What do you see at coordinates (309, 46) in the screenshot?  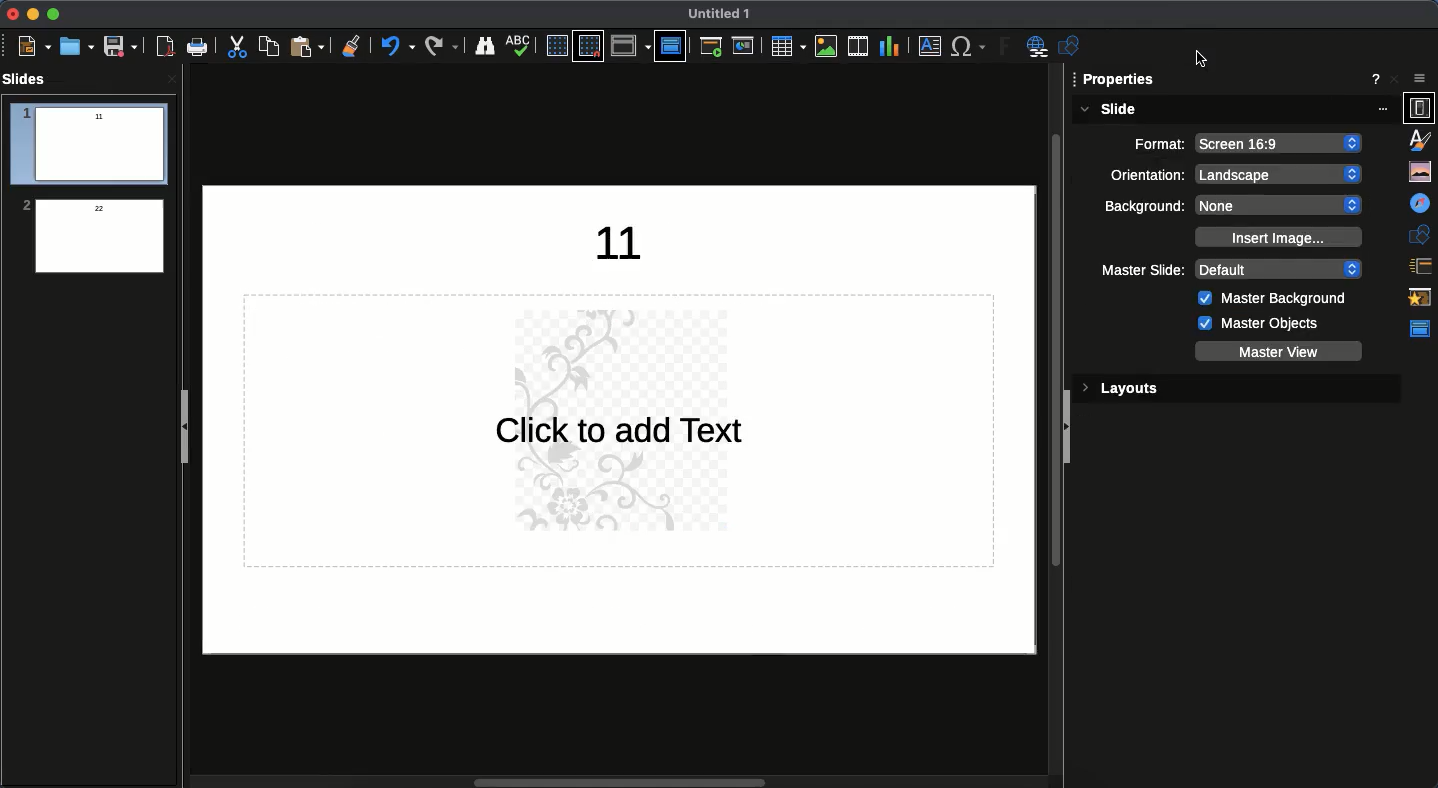 I see `Paste` at bounding box center [309, 46].